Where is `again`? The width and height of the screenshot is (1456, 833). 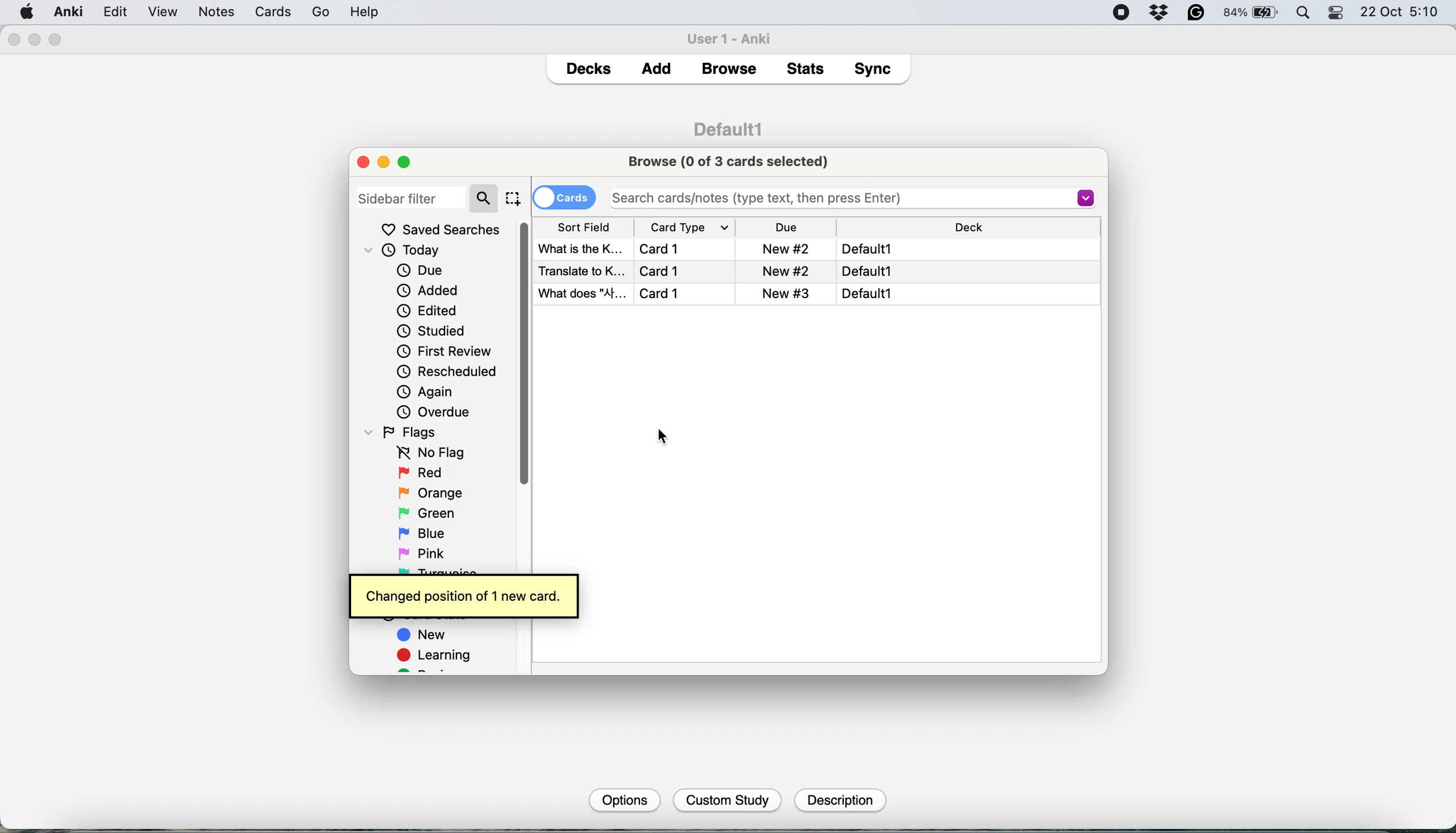
again is located at coordinates (425, 392).